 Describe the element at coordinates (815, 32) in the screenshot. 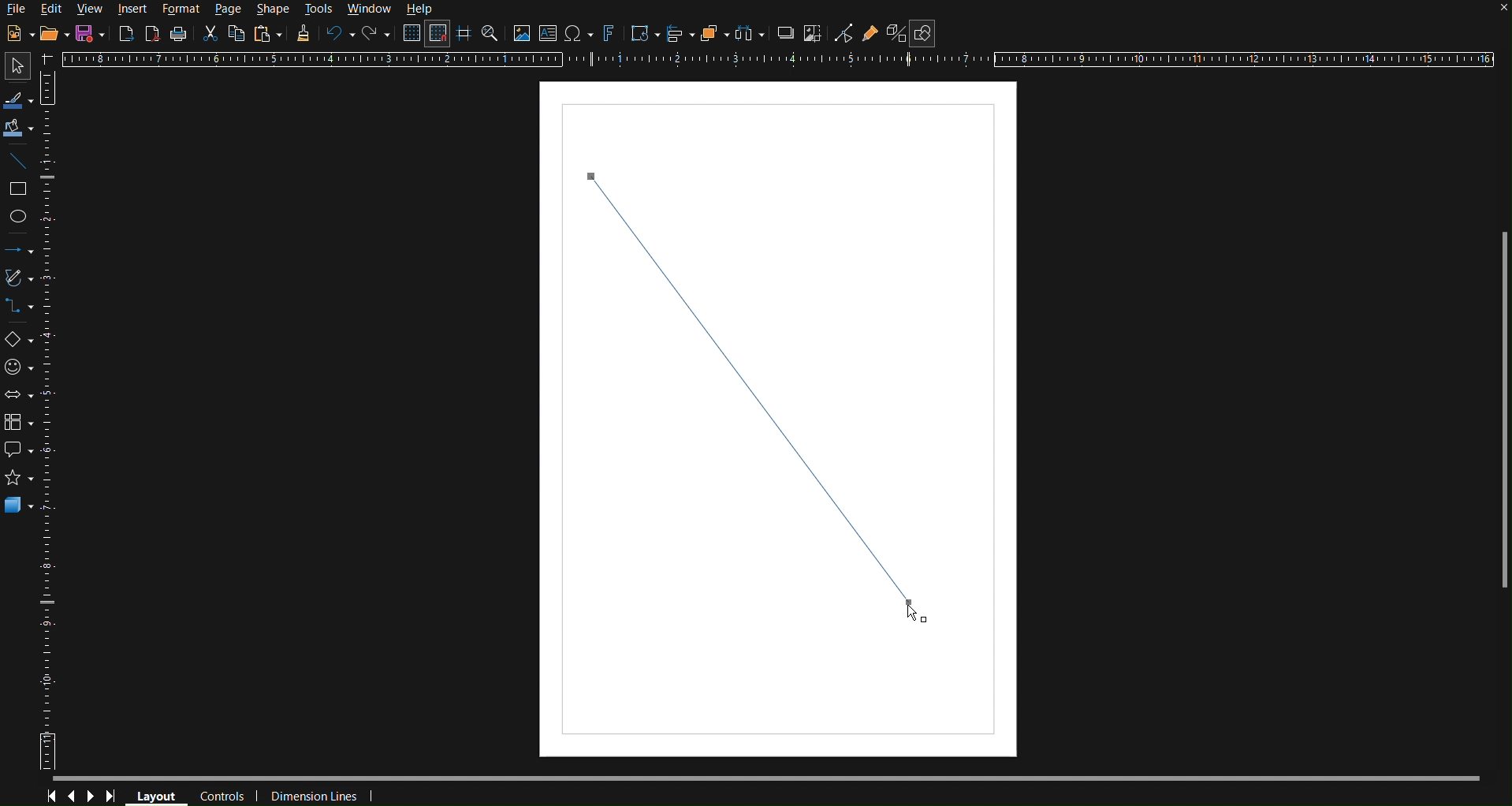

I see `Crop Image` at that location.